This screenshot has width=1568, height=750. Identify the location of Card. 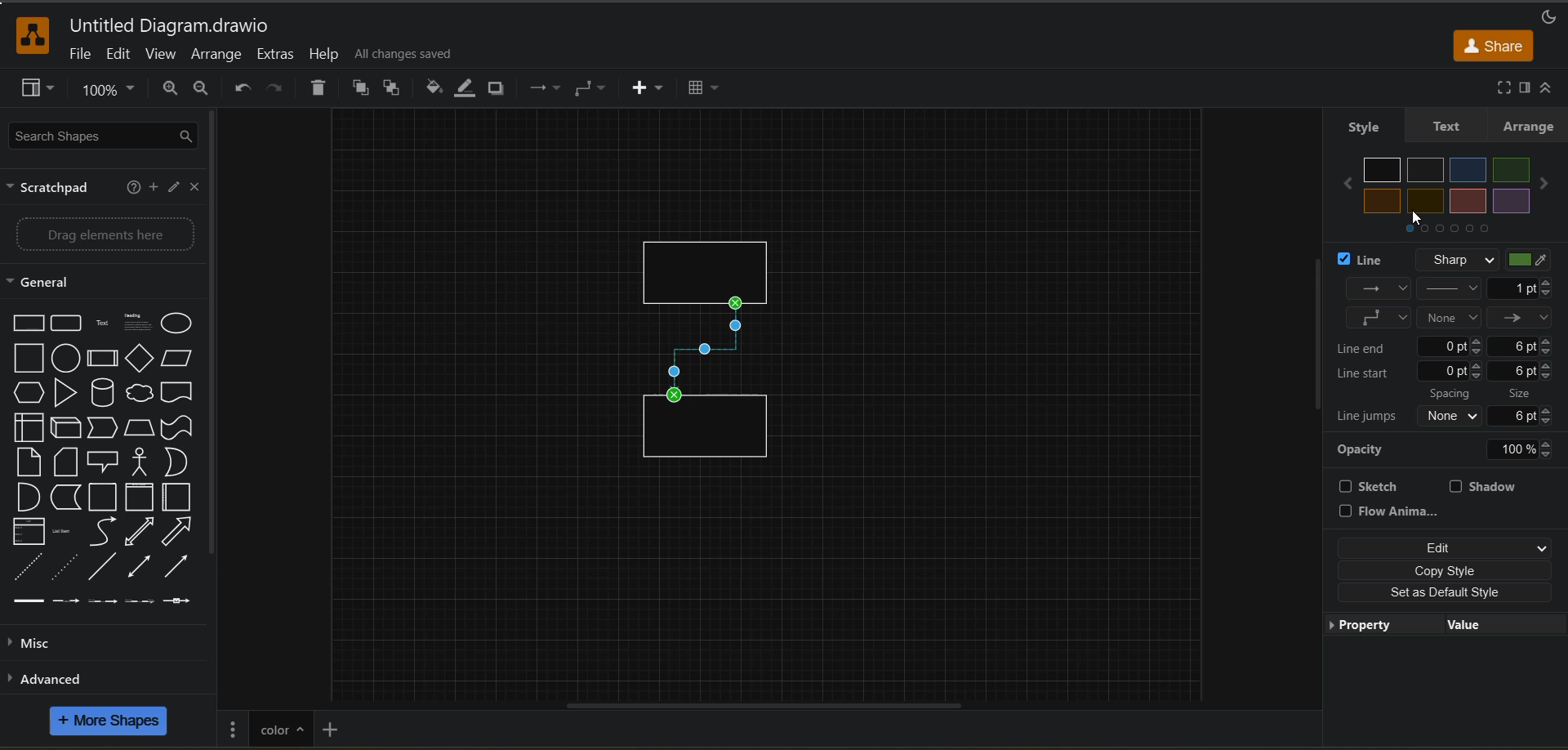
(26, 462).